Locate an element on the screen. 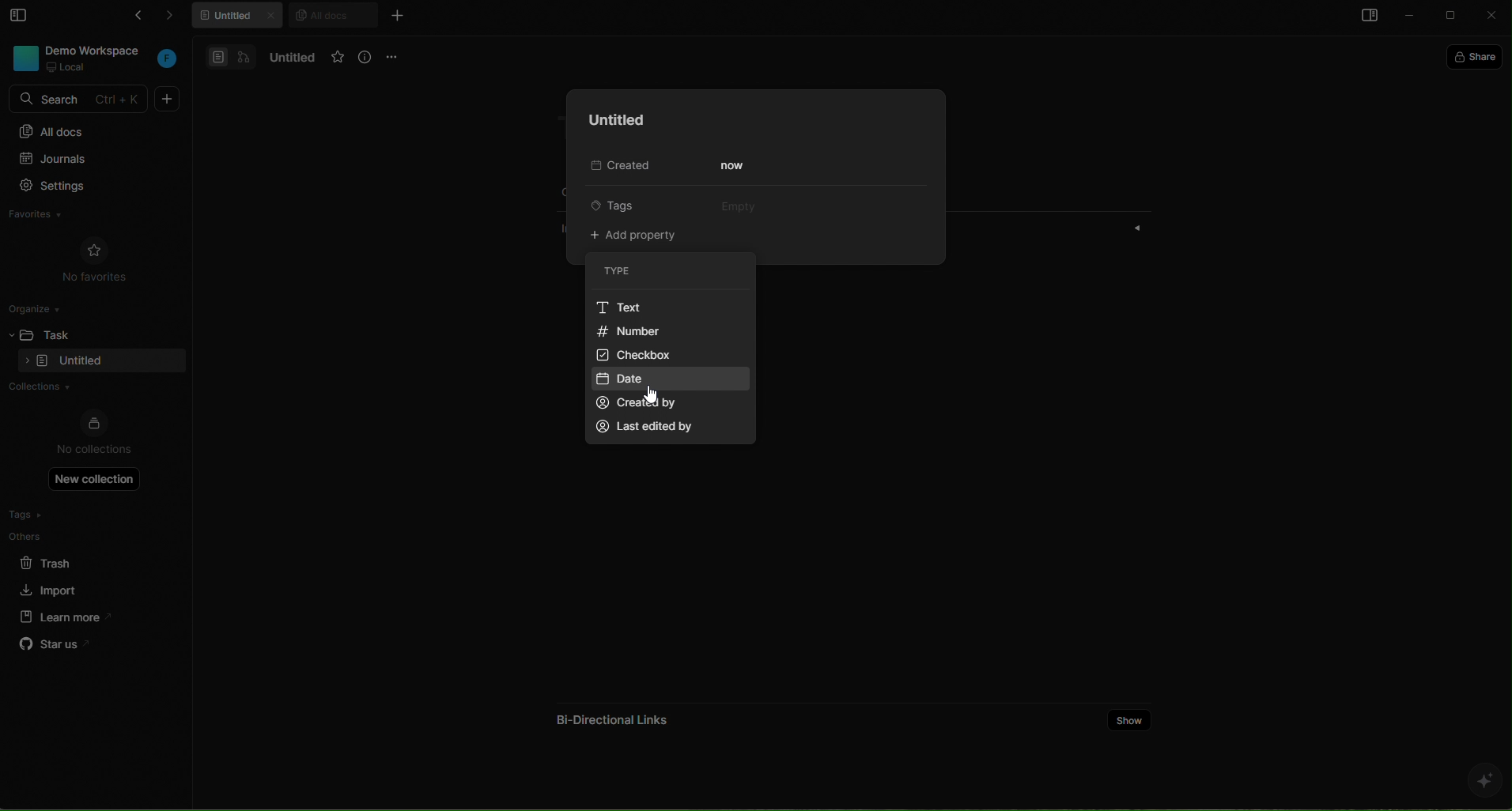 The image size is (1512, 811). tags is located at coordinates (626, 204).